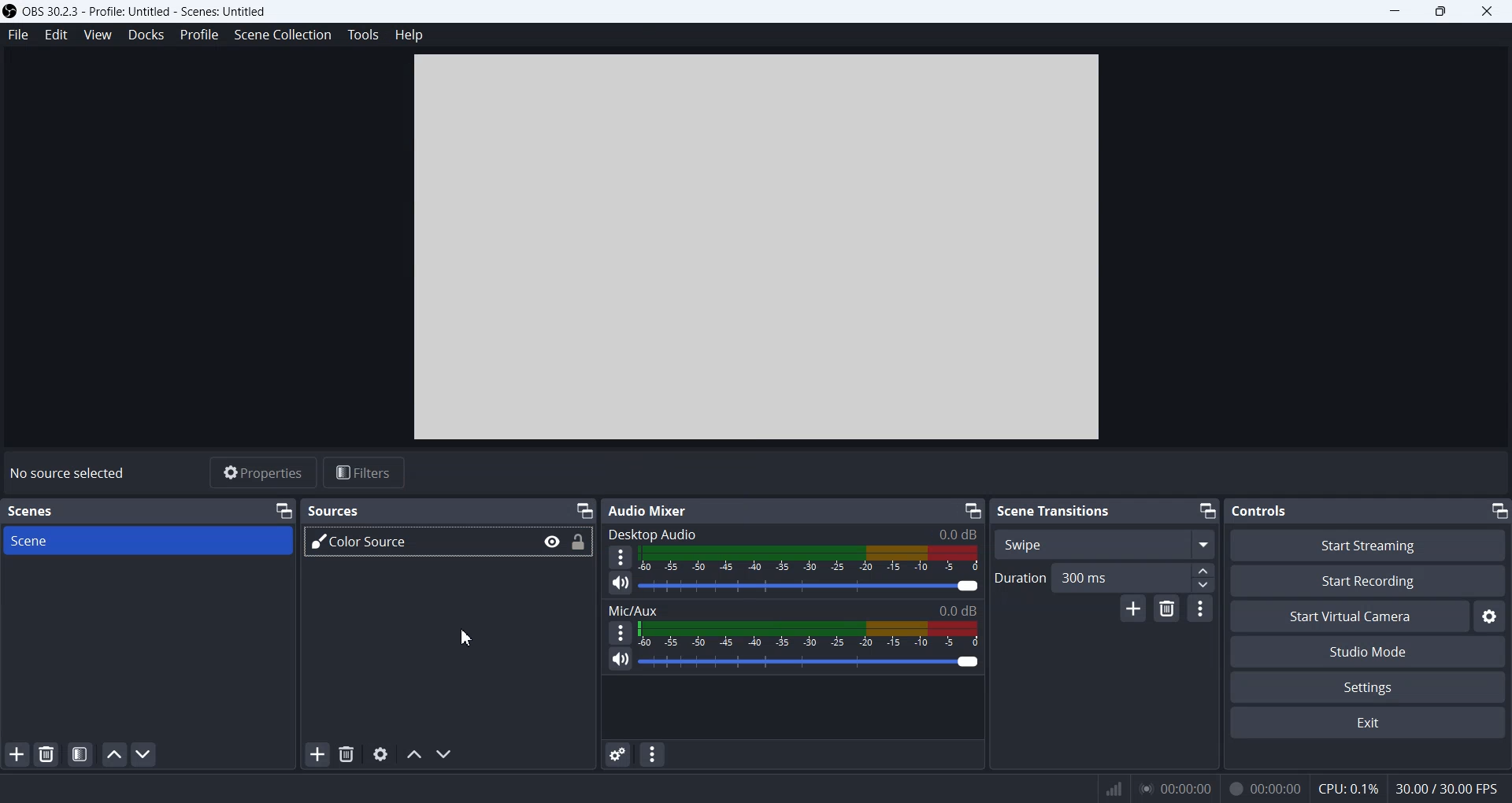 This screenshot has height=803, width=1512. I want to click on Mute/ Unmute, so click(621, 584).